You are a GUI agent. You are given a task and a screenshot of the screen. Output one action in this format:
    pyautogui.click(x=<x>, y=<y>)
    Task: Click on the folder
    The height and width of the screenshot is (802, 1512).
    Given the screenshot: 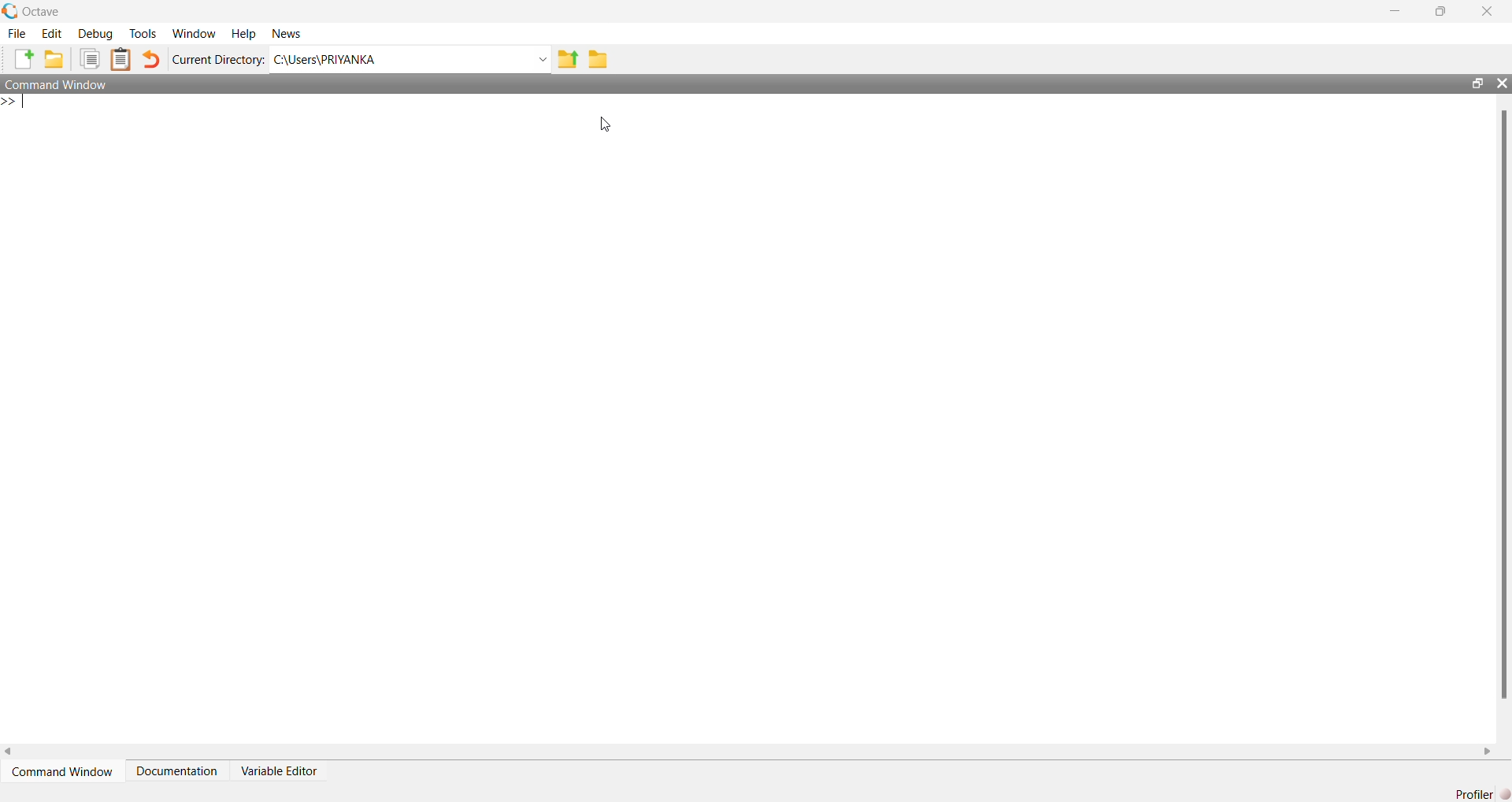 What is the action you would take?
    pyautogui.click(x=53, y=58)
    